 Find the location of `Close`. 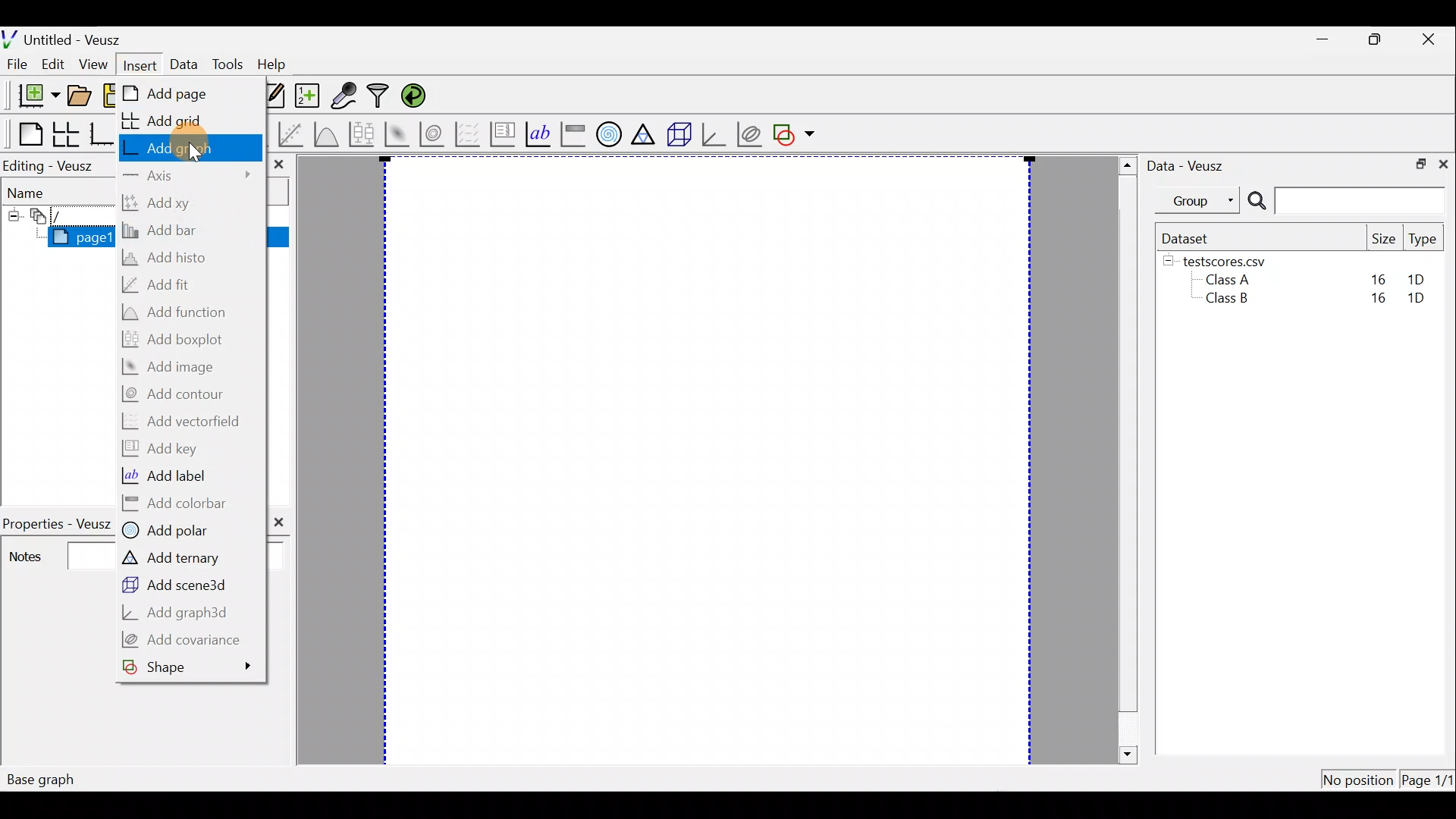

Close is located at coordinates (1432, 38).